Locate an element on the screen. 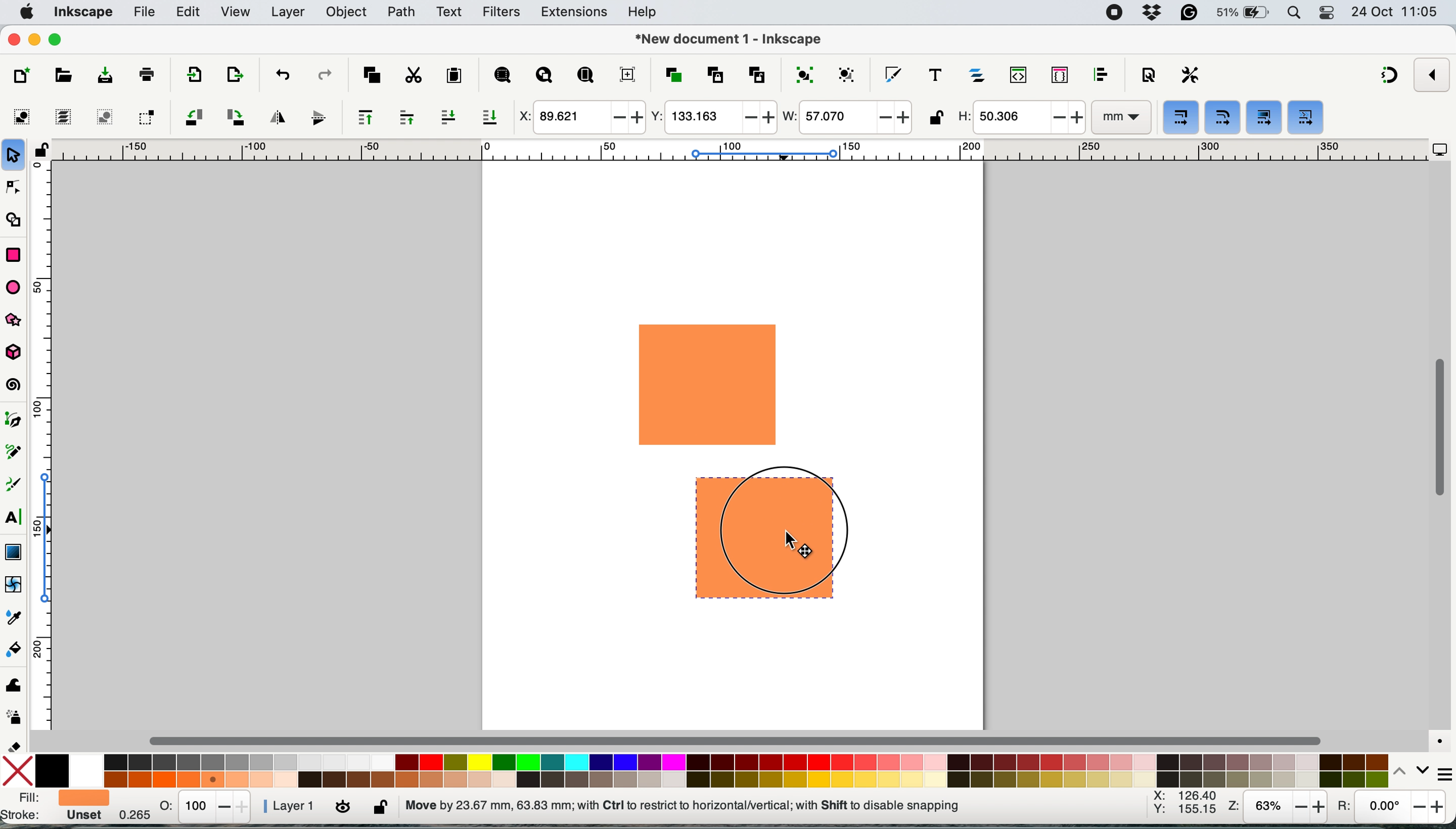  enable snapping is located at coordinates (1433, 74).